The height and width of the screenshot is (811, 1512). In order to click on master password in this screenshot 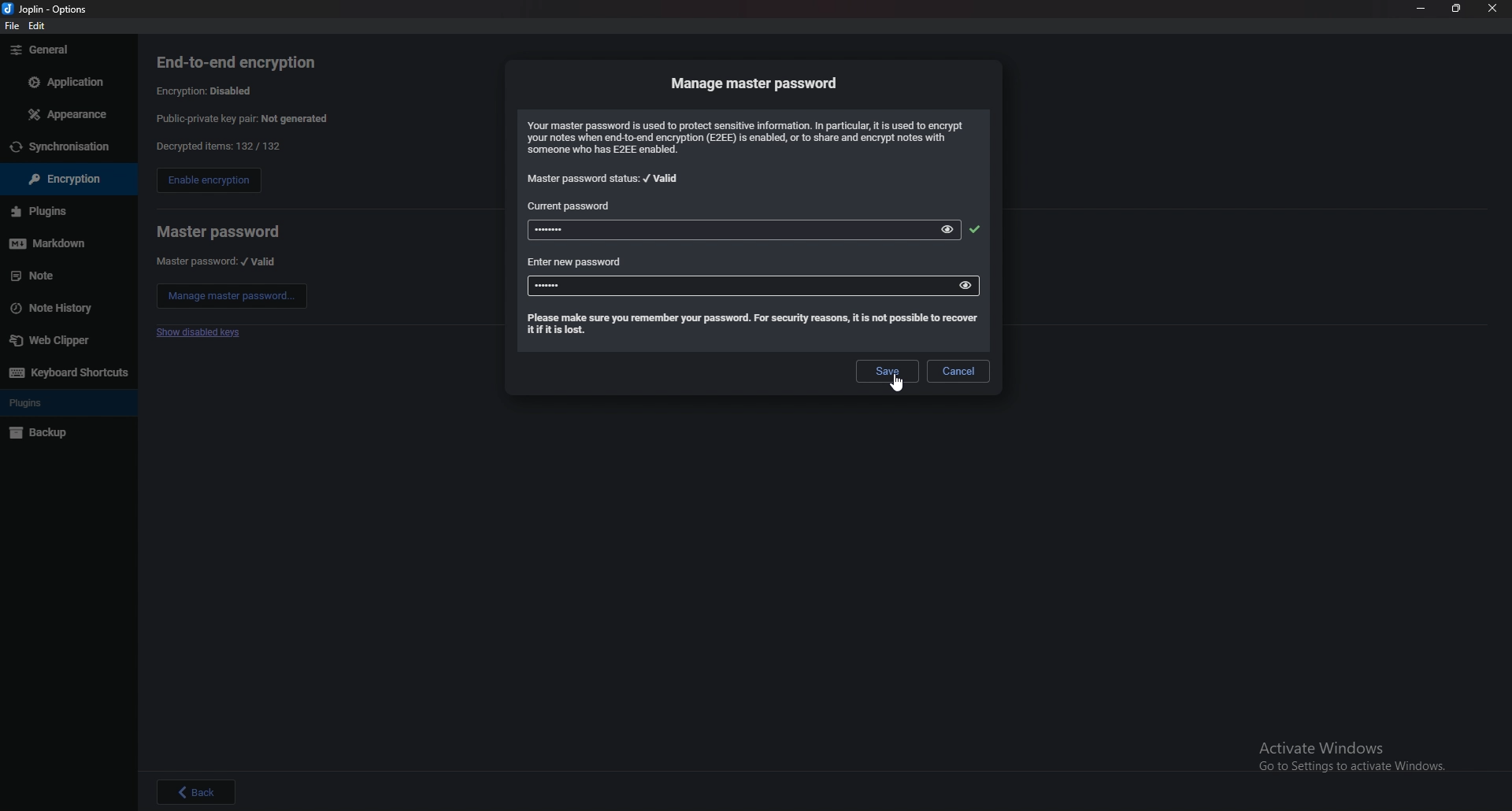, I will do `click(217, 261)`.